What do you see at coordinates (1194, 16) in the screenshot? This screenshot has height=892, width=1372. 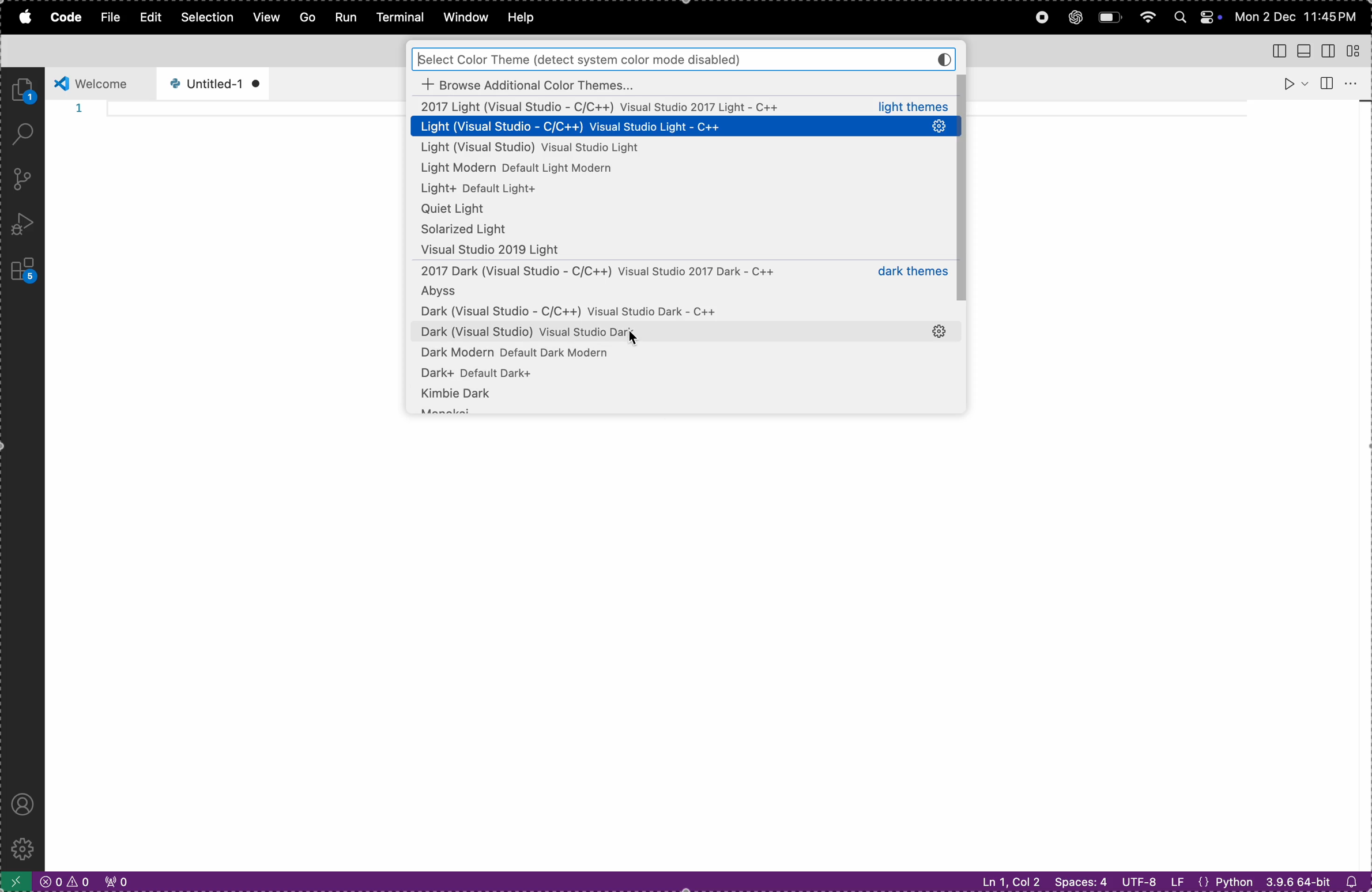 I see `apple widgets` at bounding box center [1194, 16].